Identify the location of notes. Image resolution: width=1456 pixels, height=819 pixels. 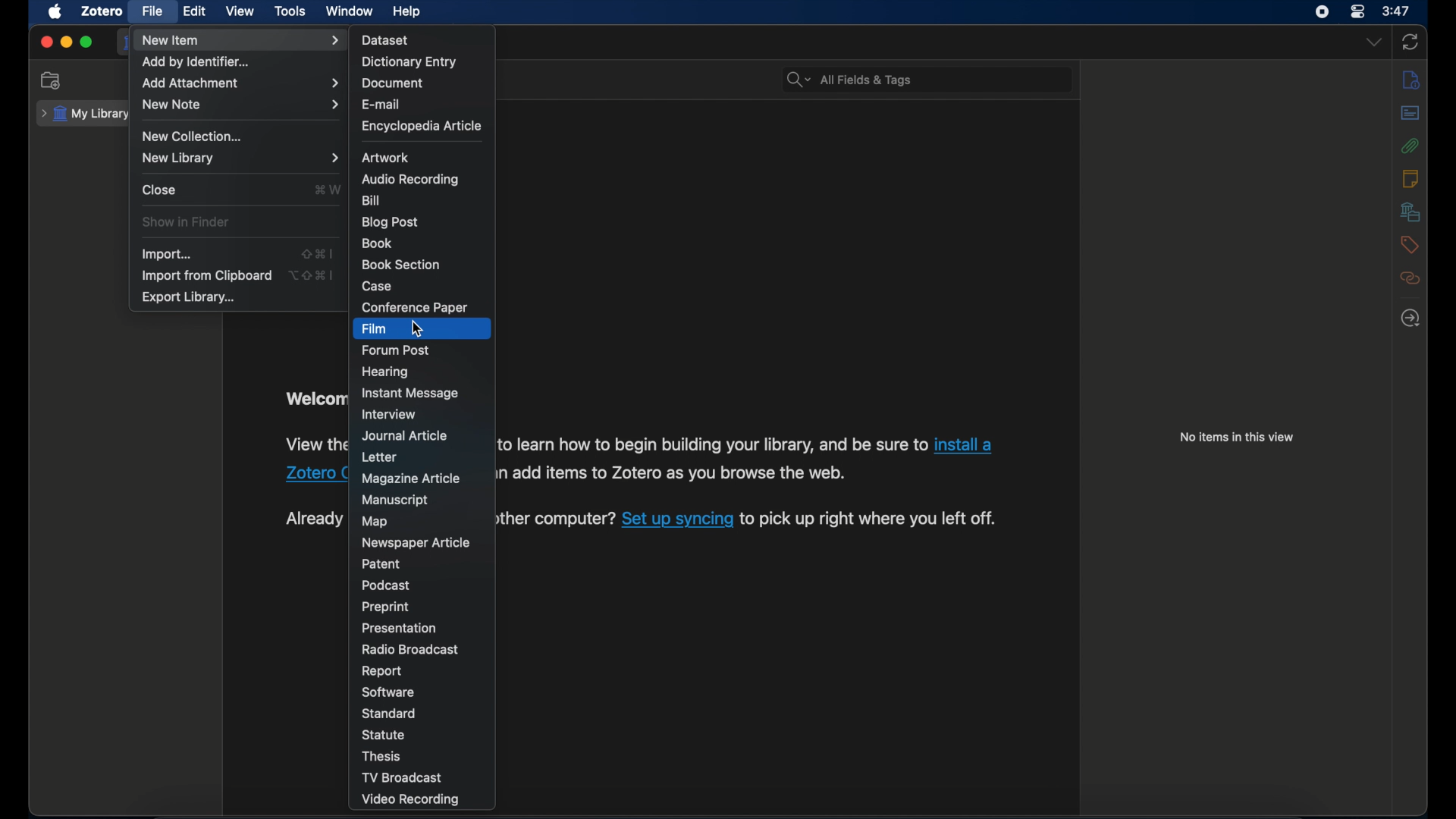
(1410, 178).